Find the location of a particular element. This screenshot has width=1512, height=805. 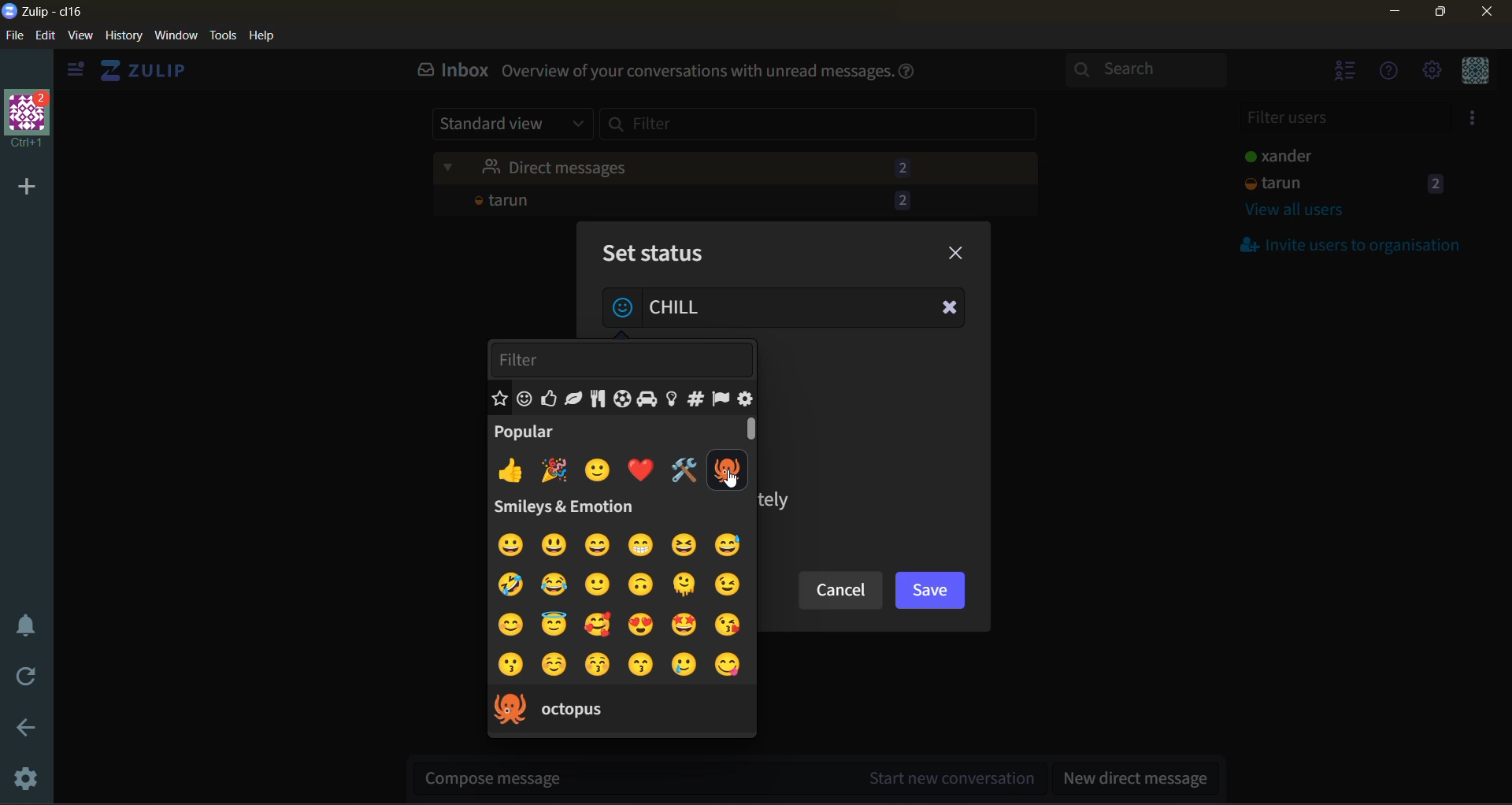

emoji is located at coordinates (573, 399).